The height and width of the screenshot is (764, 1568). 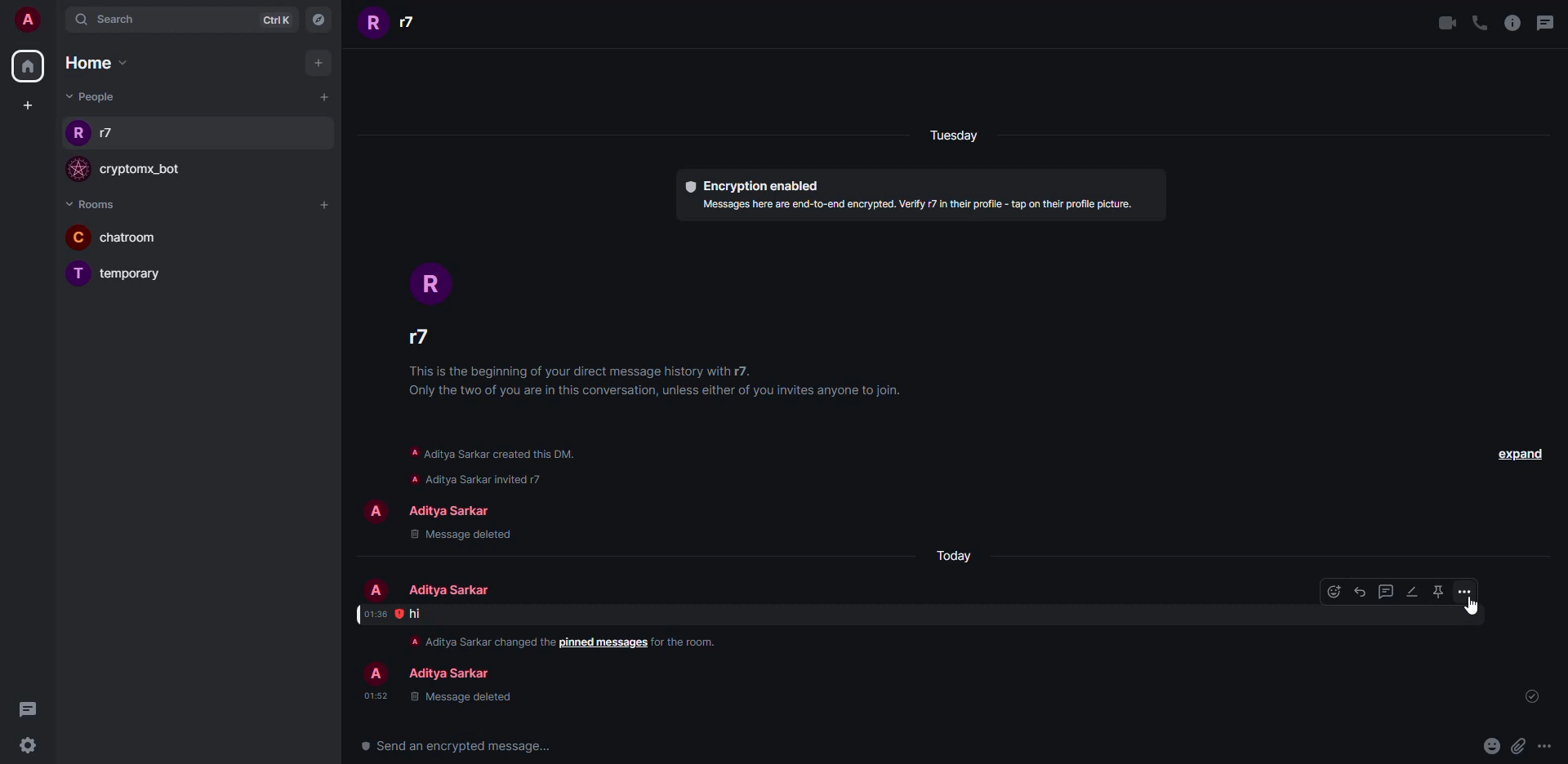 I want to click on thread, so click(x=1386, y=591).